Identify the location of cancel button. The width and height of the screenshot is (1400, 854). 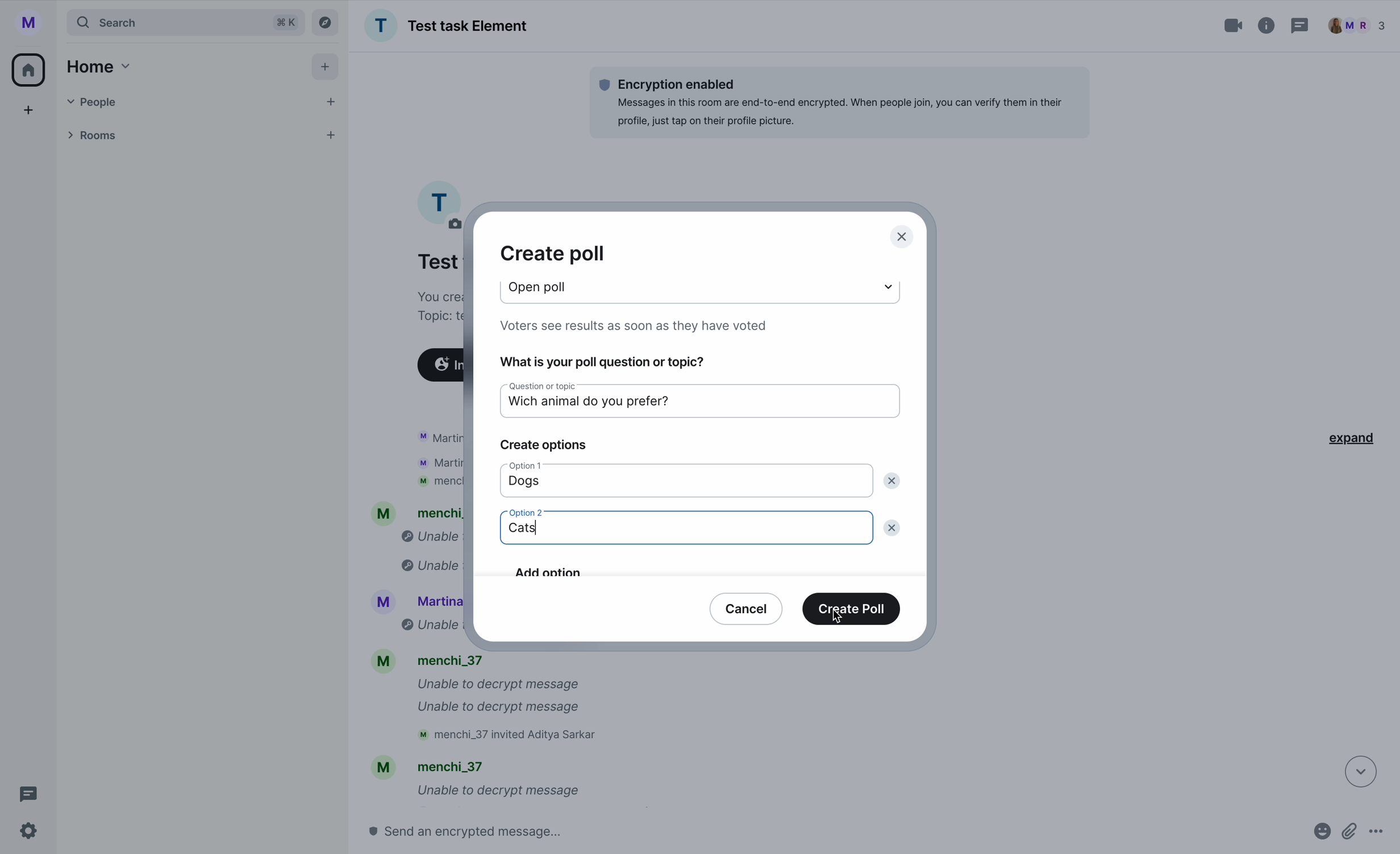
(747, 607).